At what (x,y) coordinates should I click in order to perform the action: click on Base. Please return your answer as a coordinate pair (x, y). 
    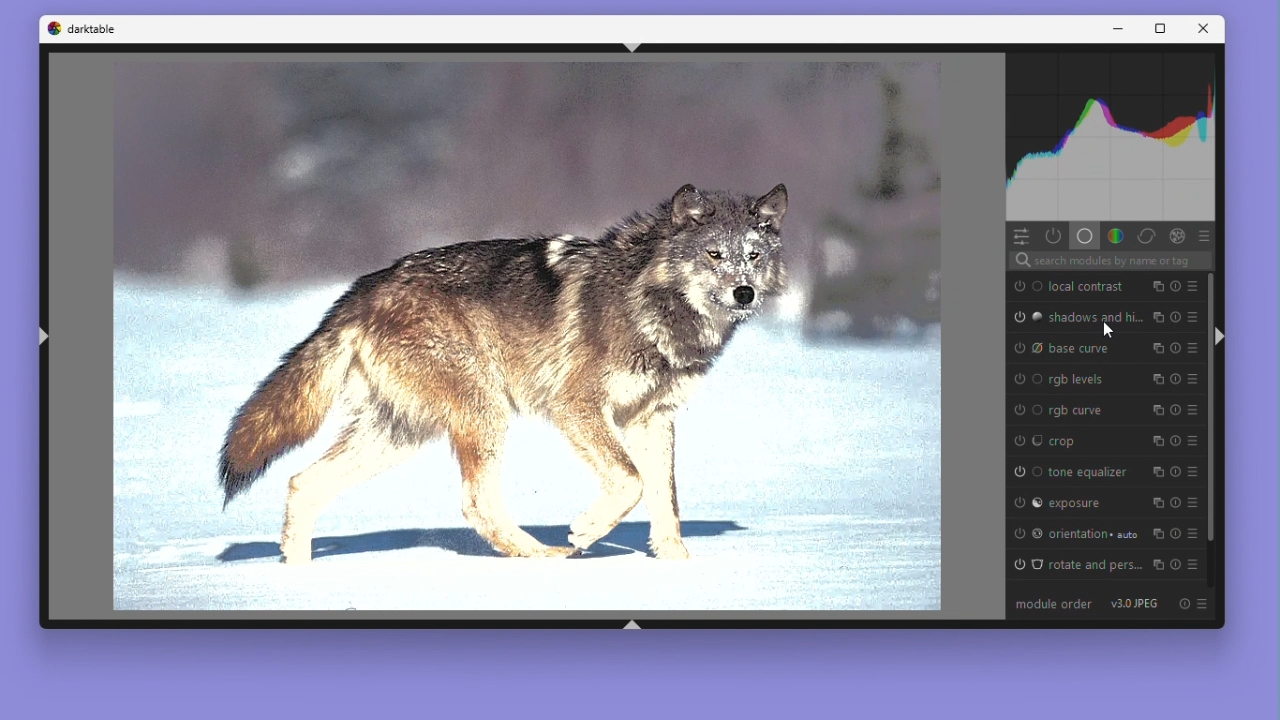
    Looking at the image, I should click on (1084, 236).